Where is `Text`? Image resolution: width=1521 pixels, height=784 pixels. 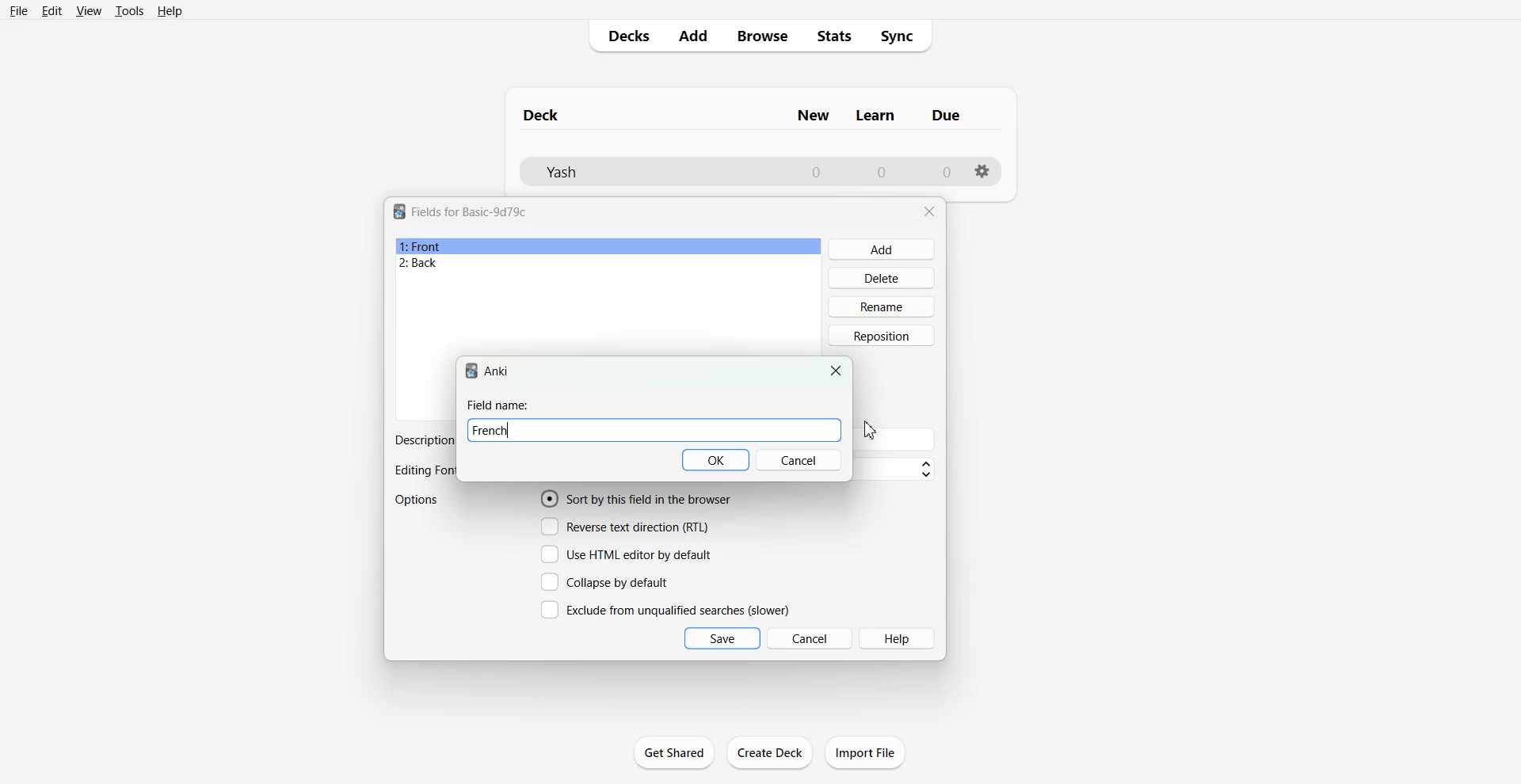
Text is located at coordinates (498, 405).